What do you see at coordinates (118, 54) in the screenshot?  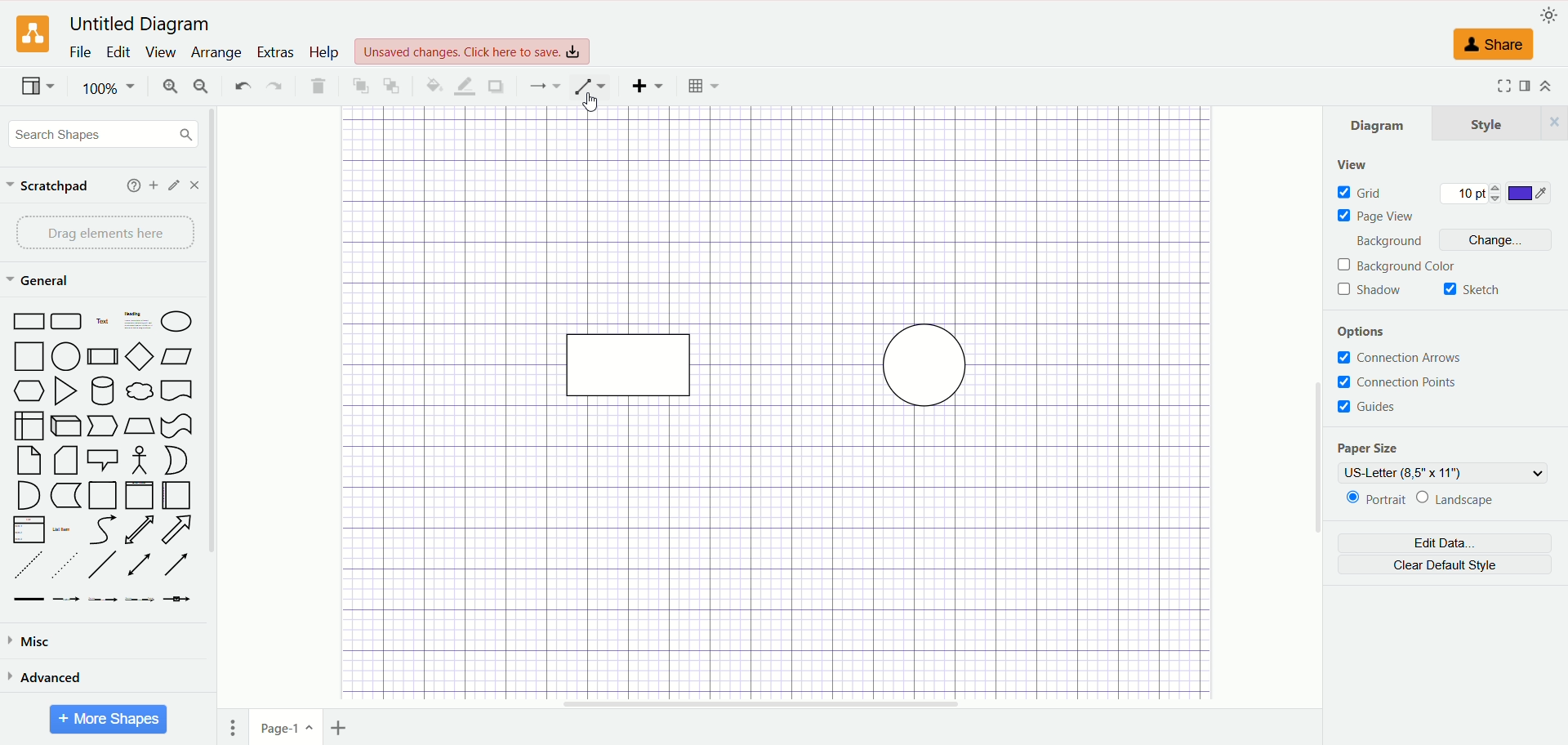 I see `edit` at bounding box center [118, 54].